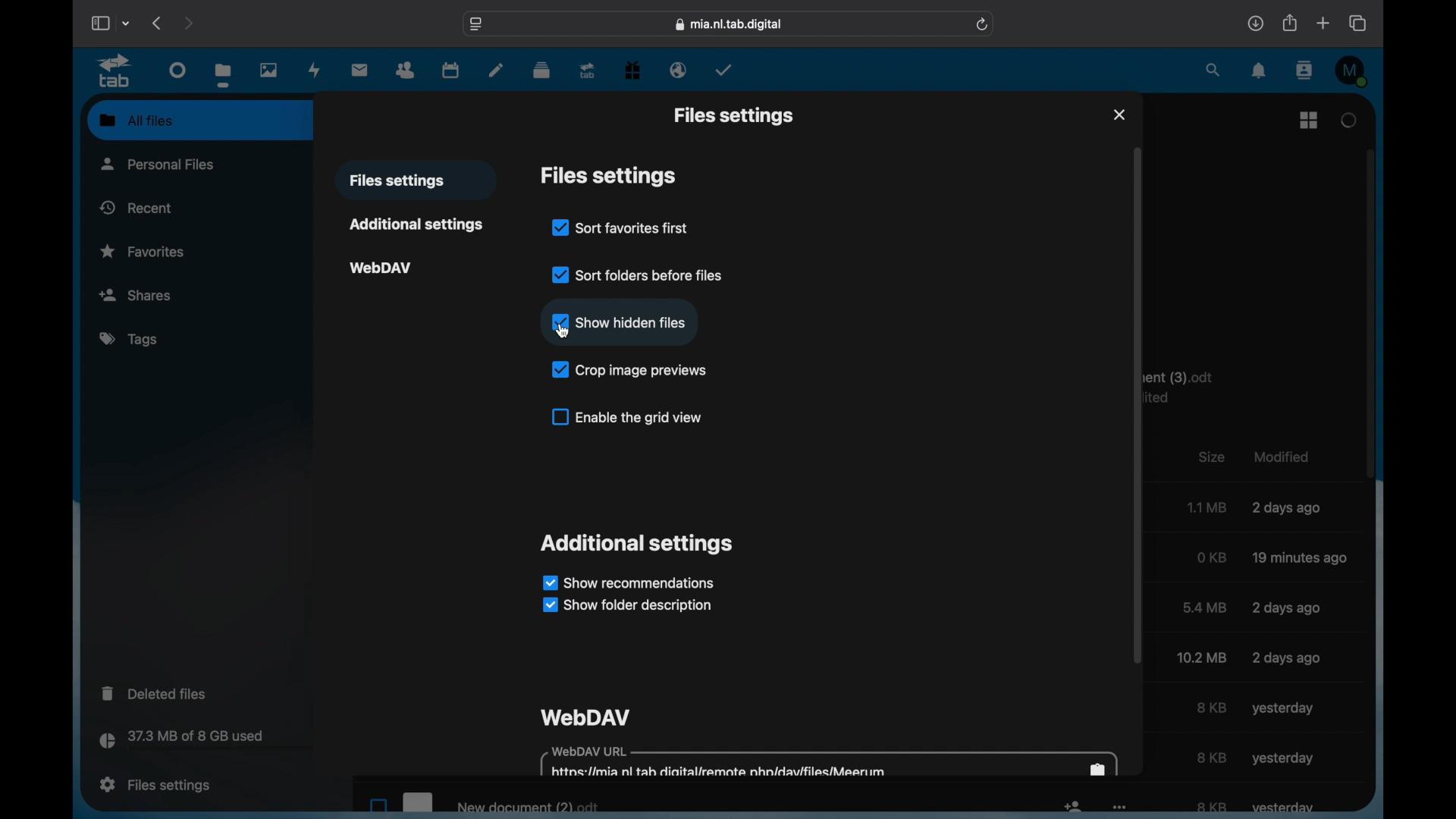 The width and height of the screenshot is (1456, 819). I want to click on text, so click(1195, 388).